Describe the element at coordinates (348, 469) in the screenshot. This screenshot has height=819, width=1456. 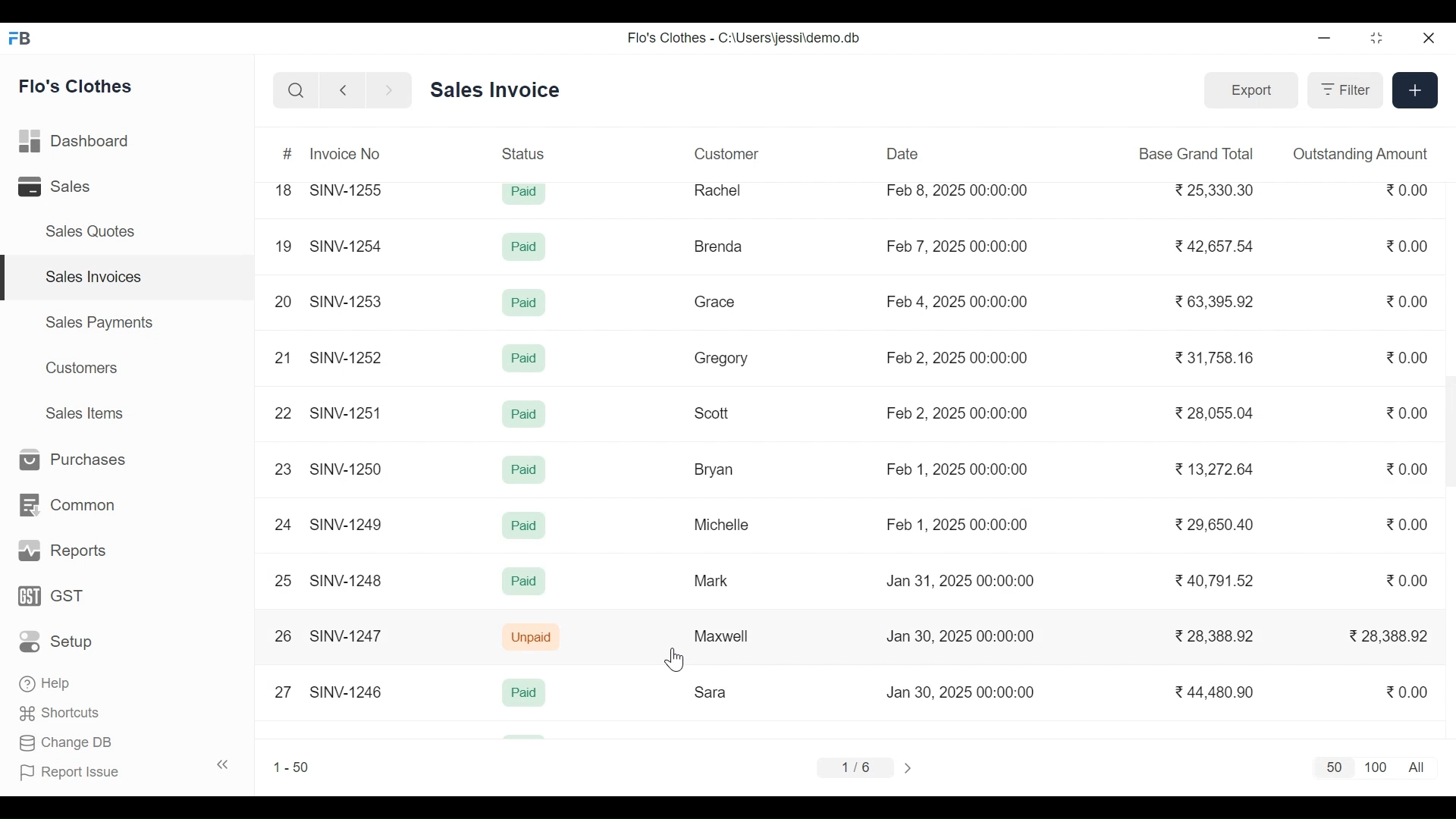
I see `SINV-1250` at that location.